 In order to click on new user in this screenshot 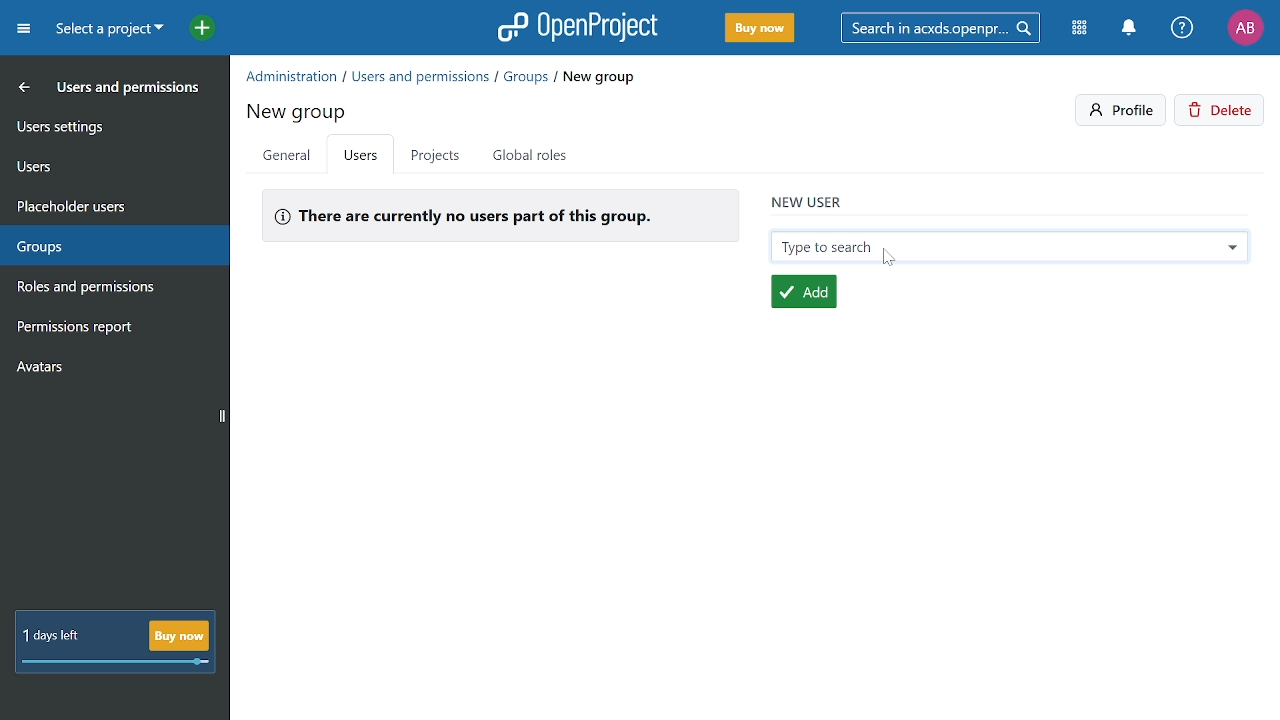, I will do `click(807, 199)`.